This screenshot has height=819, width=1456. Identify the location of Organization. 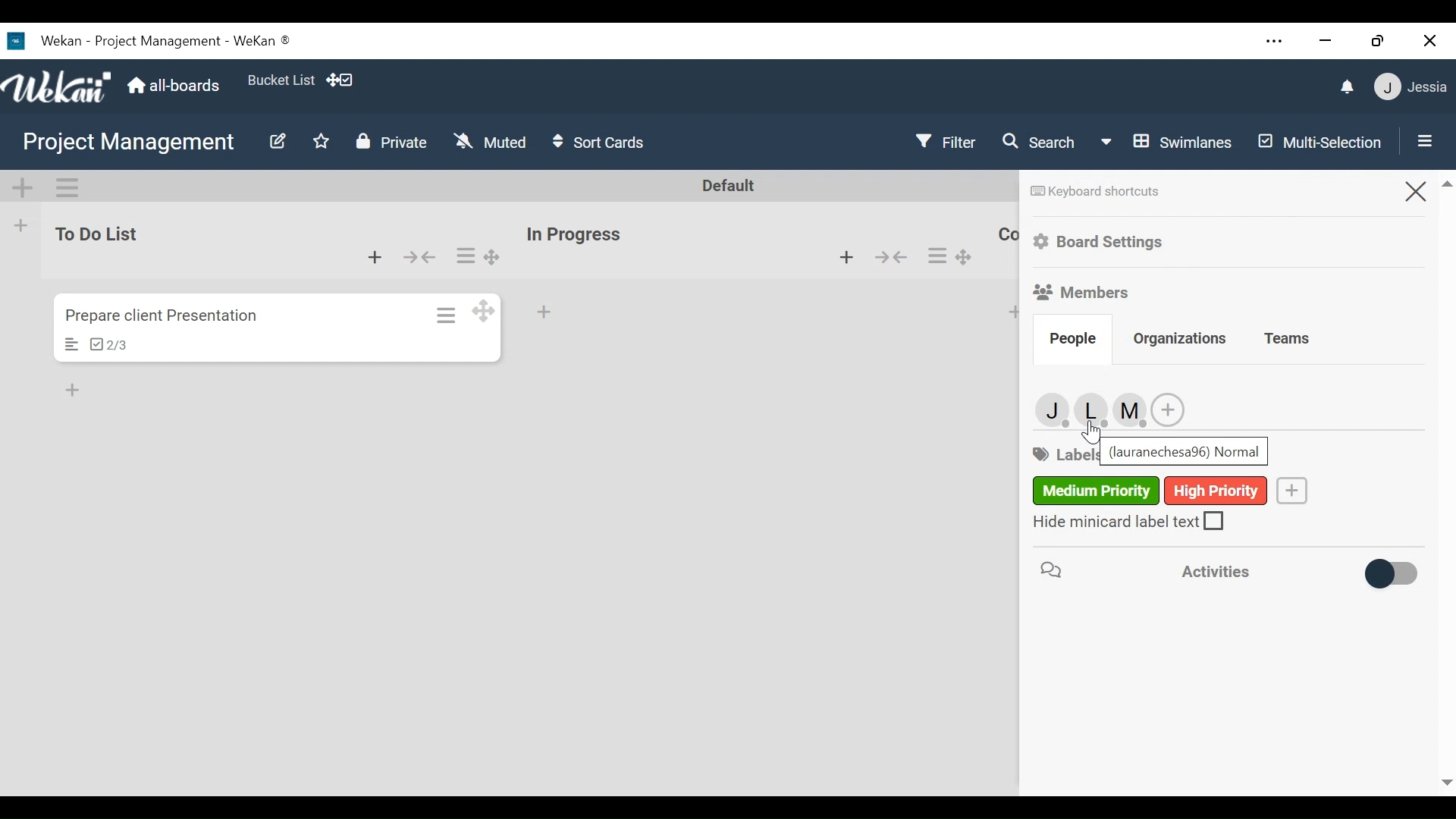
(1181, 340).